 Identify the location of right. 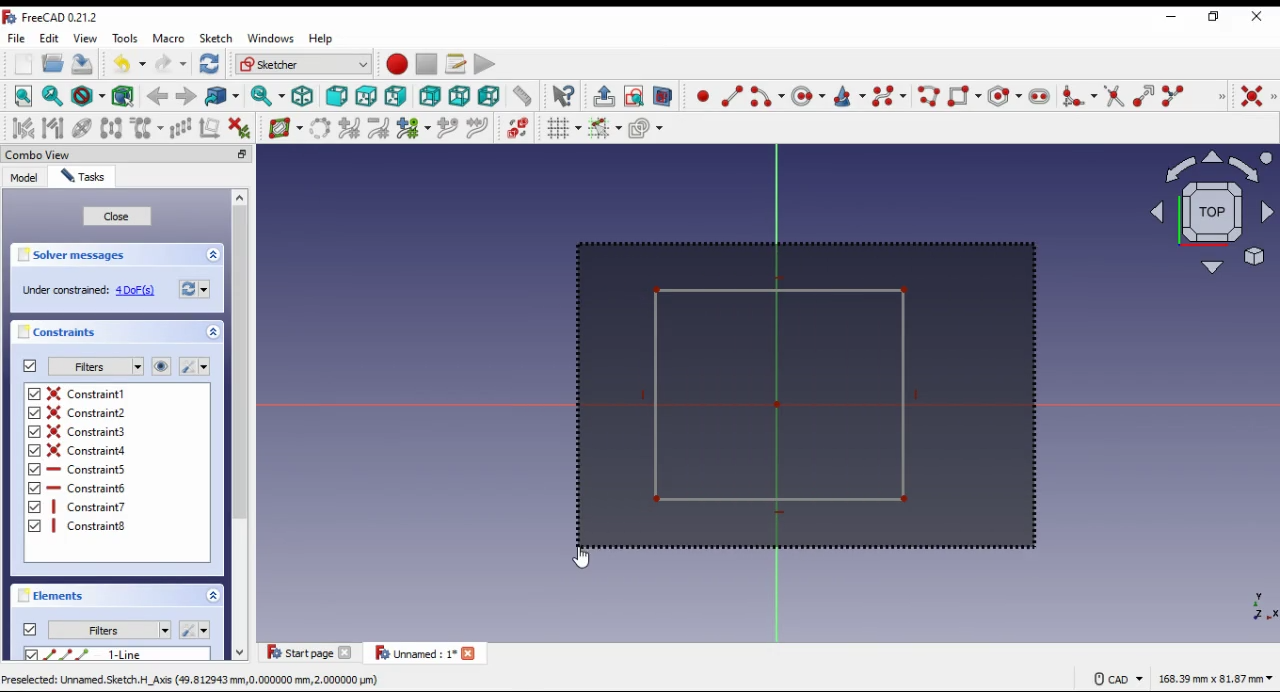
(395, 96).